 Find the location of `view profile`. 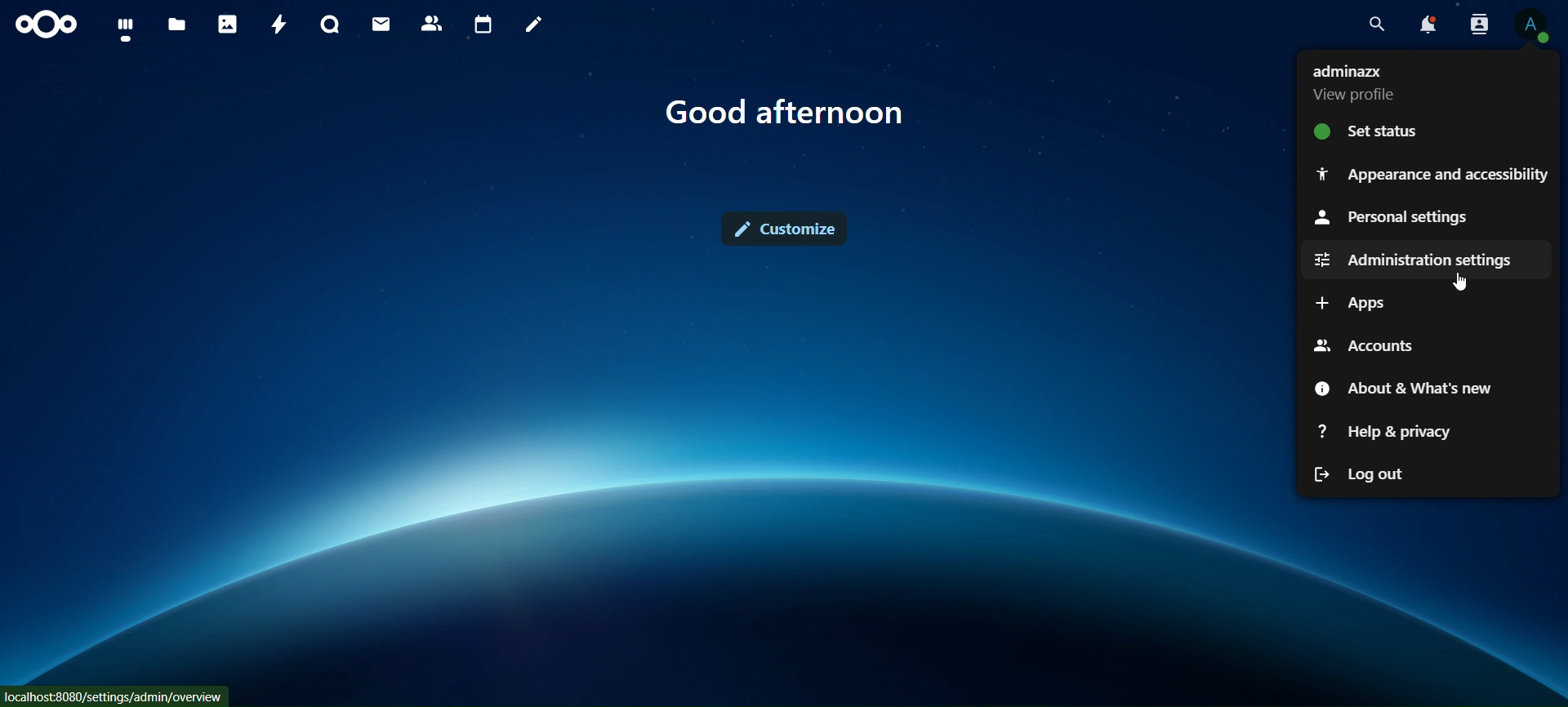

view profile is located at coordinates (1352, 84).